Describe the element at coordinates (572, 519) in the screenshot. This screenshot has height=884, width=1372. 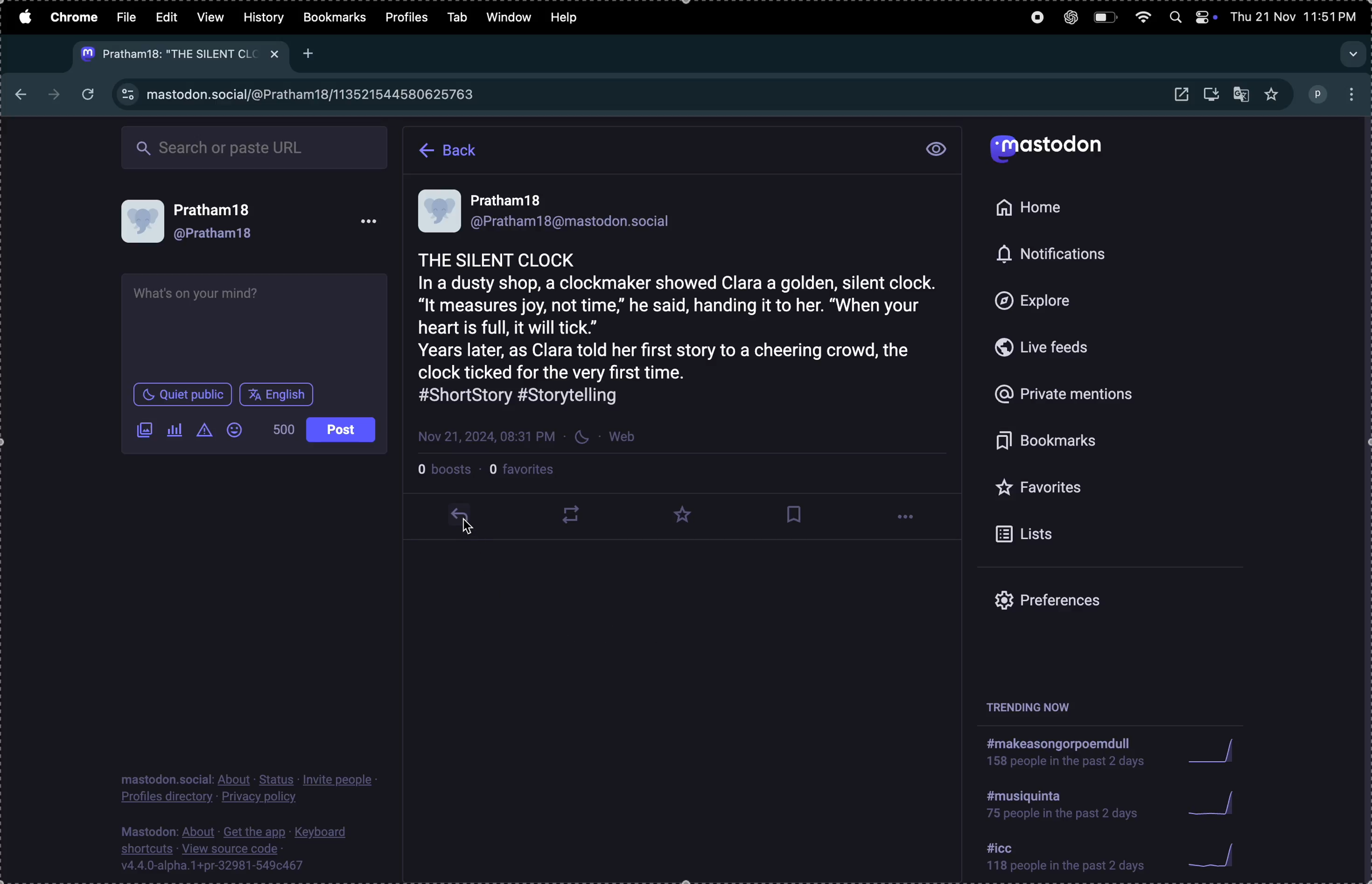
I see `loop play` at that location.